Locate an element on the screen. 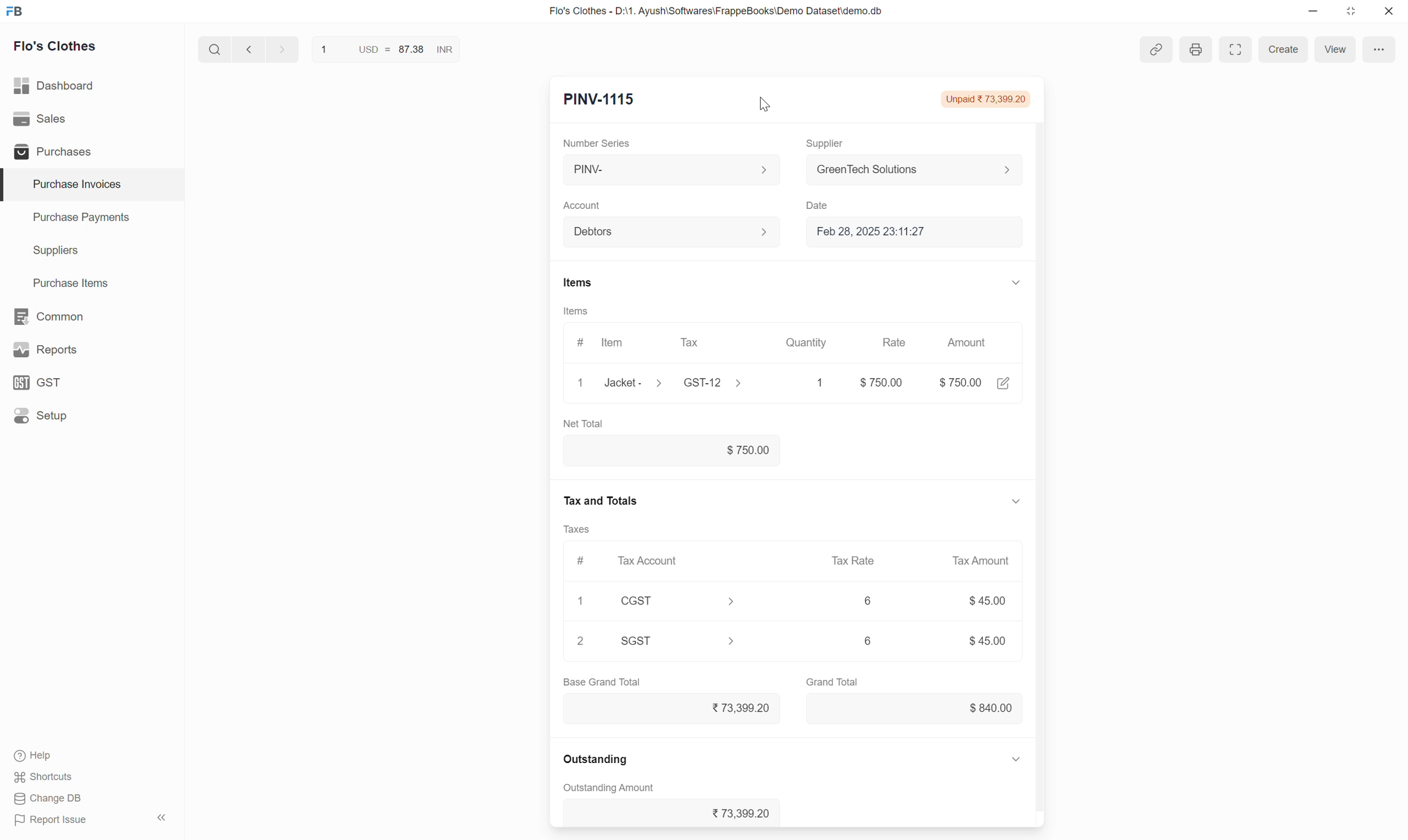  Collapse is located at coordinates (1017, 282).